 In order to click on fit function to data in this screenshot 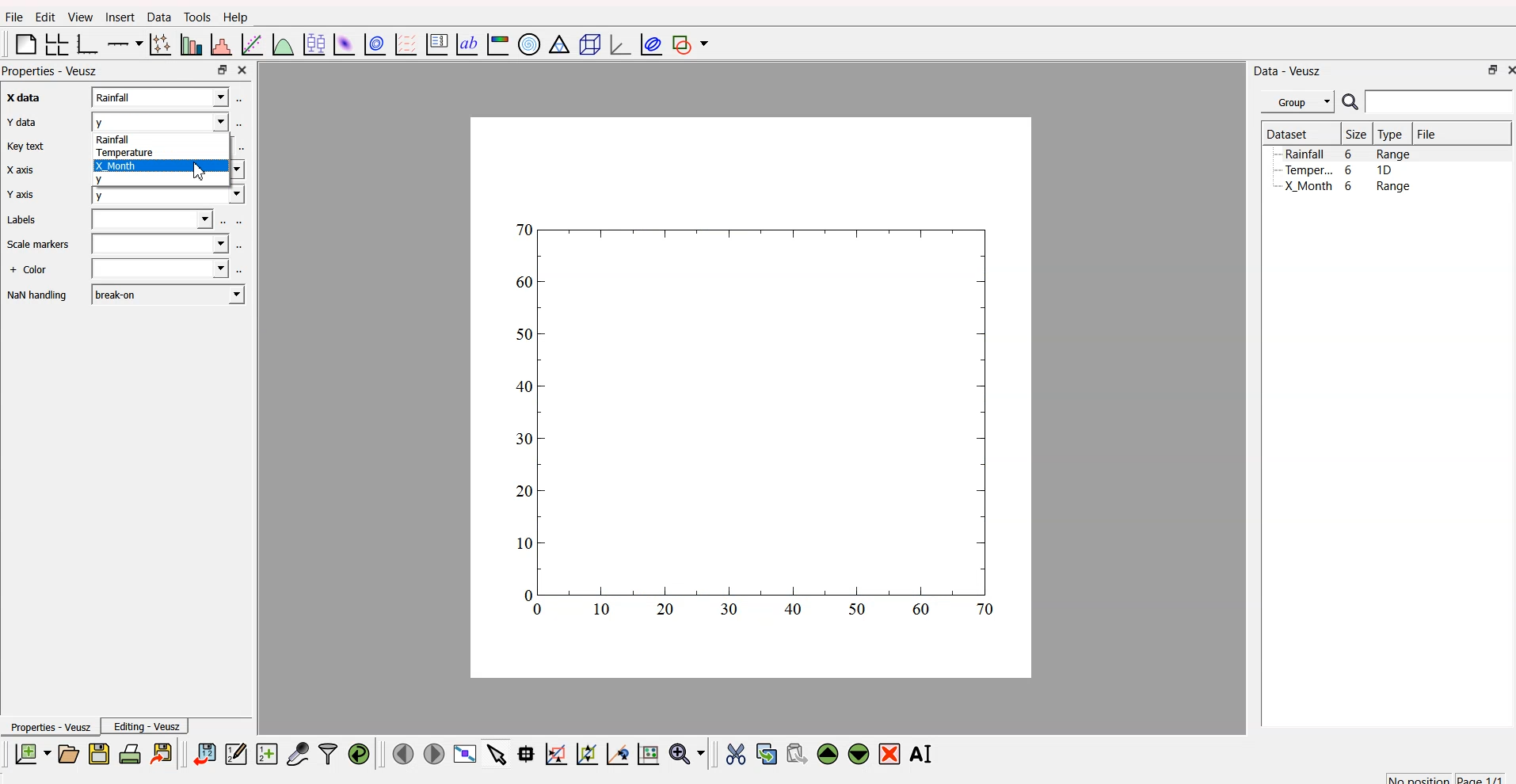, I will do `click(252, 45)`.